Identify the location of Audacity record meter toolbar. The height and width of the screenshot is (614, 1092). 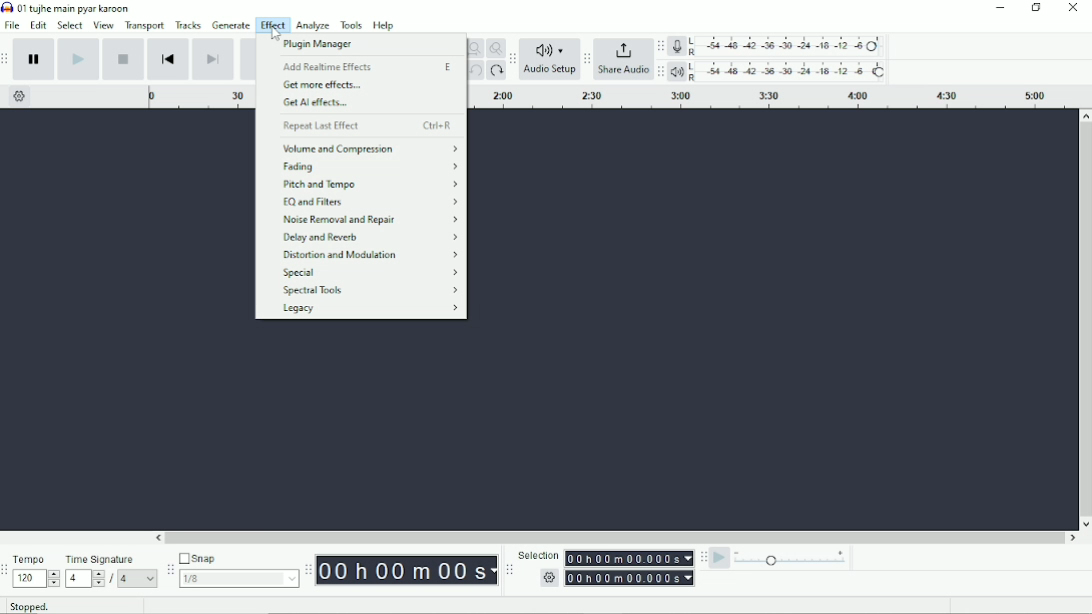
(661, 46).